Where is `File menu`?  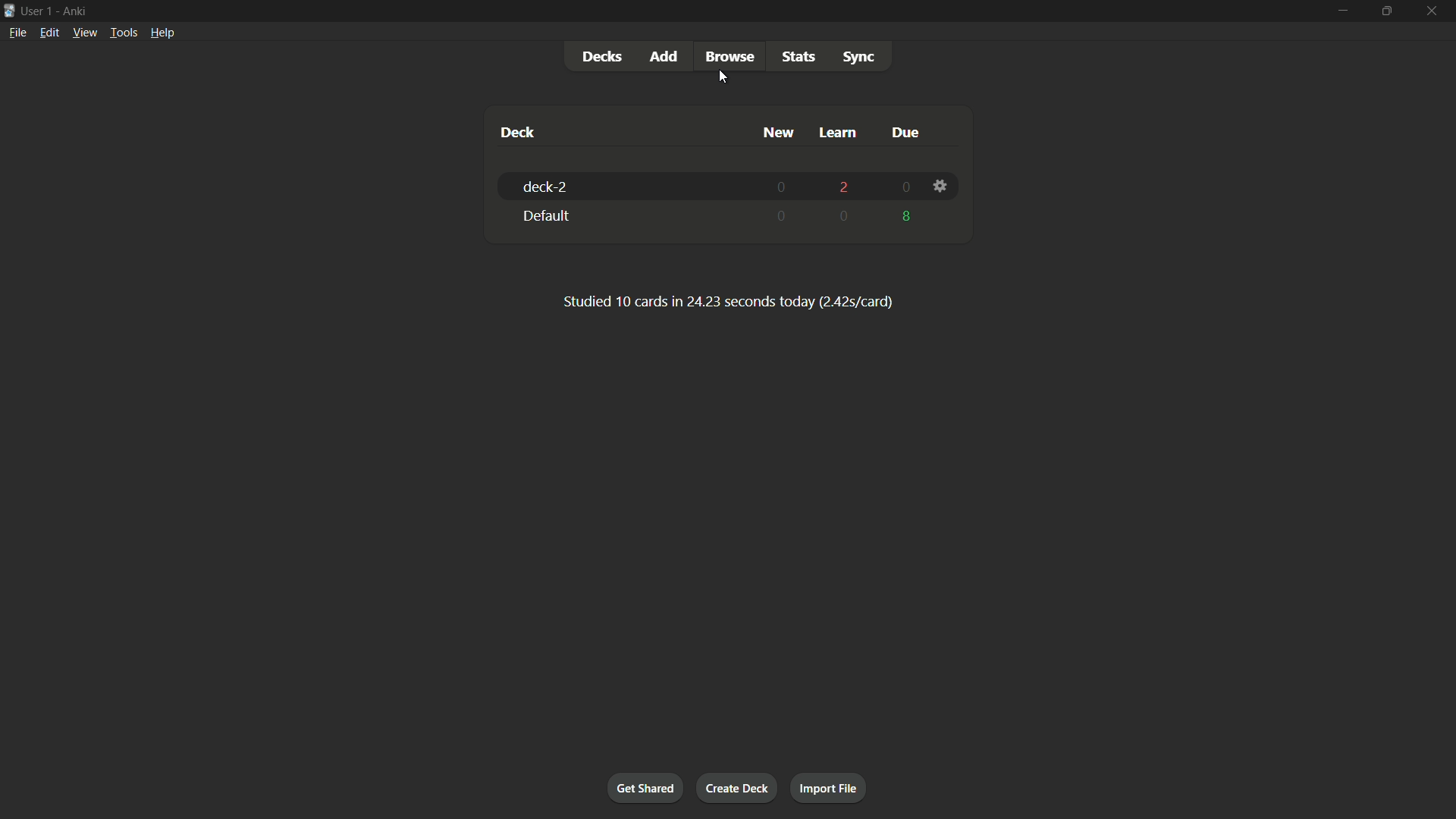 File menu is located at coordinates (16, 35).